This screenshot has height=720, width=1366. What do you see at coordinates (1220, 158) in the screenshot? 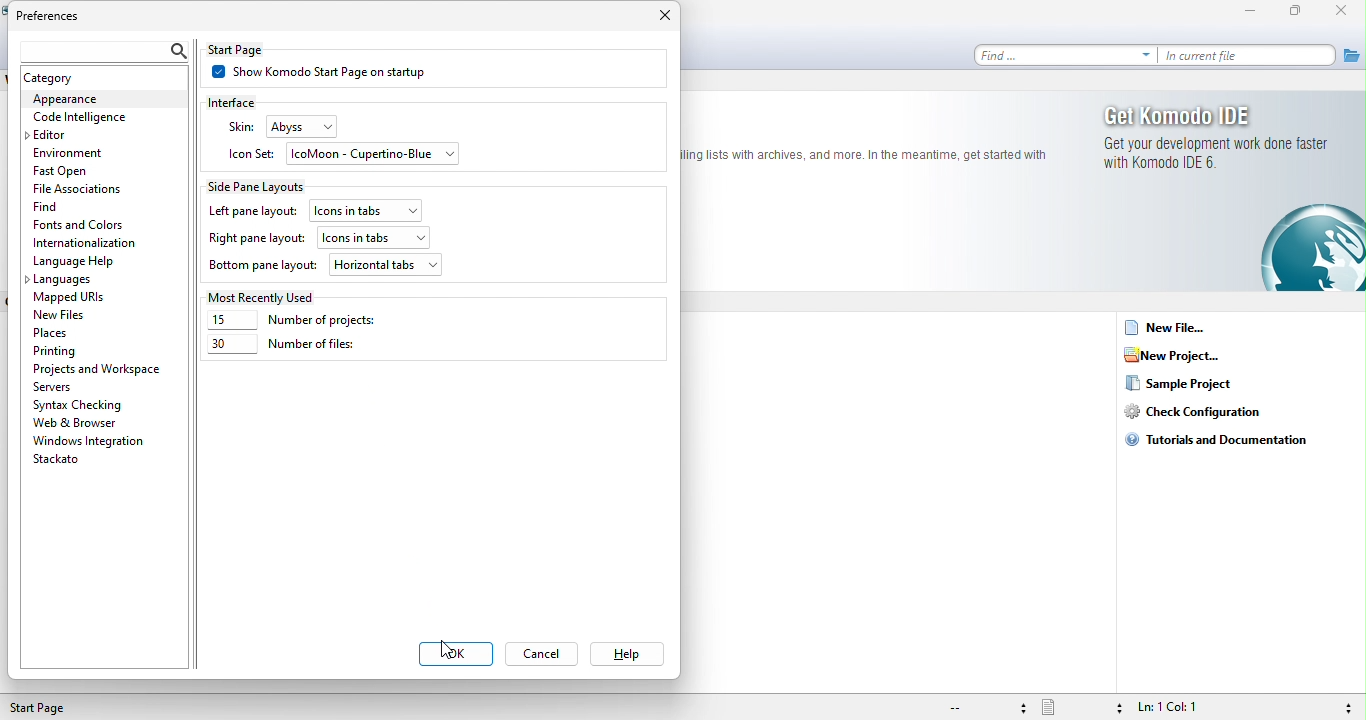
I see `get your development work done faster with komodo ide 6` at bounding box center [1220, 158].